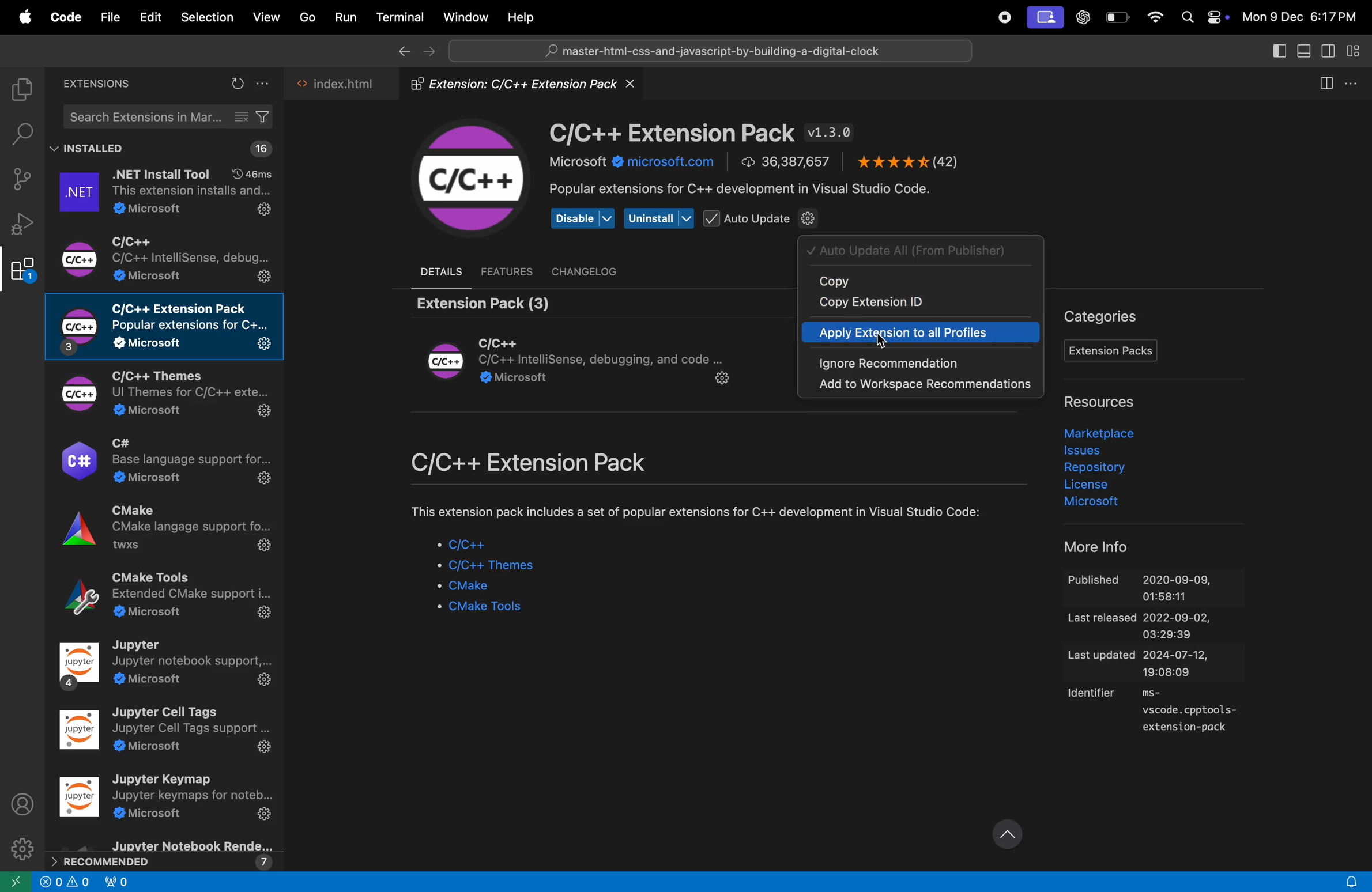 The width and height of the screenshot is (1372, 892). What do you see at coordinates (884, 341) in the screenshot?
I see `cursor` at bounding box center [884, 341].